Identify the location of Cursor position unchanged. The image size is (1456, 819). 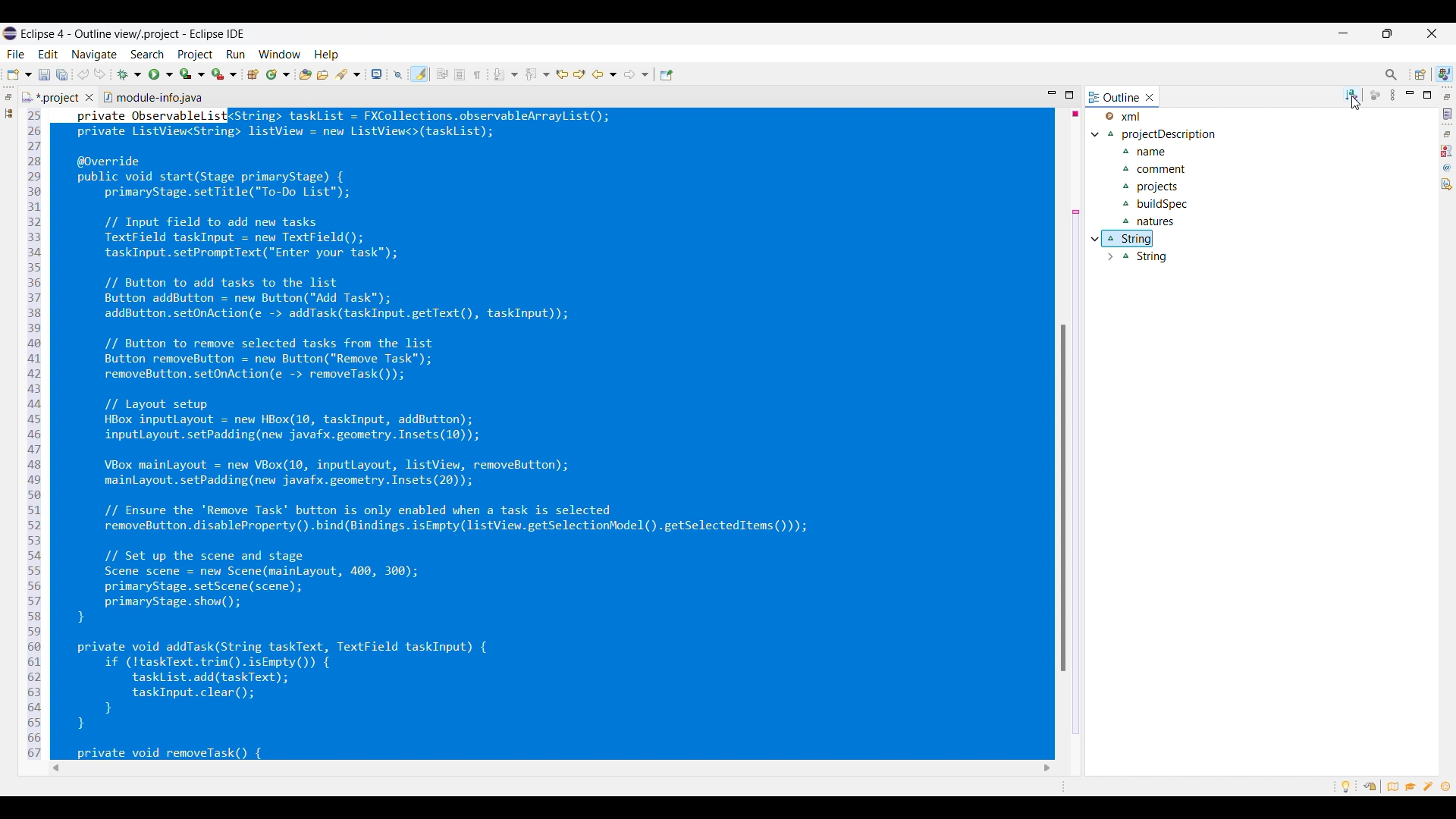
(1356, 103).